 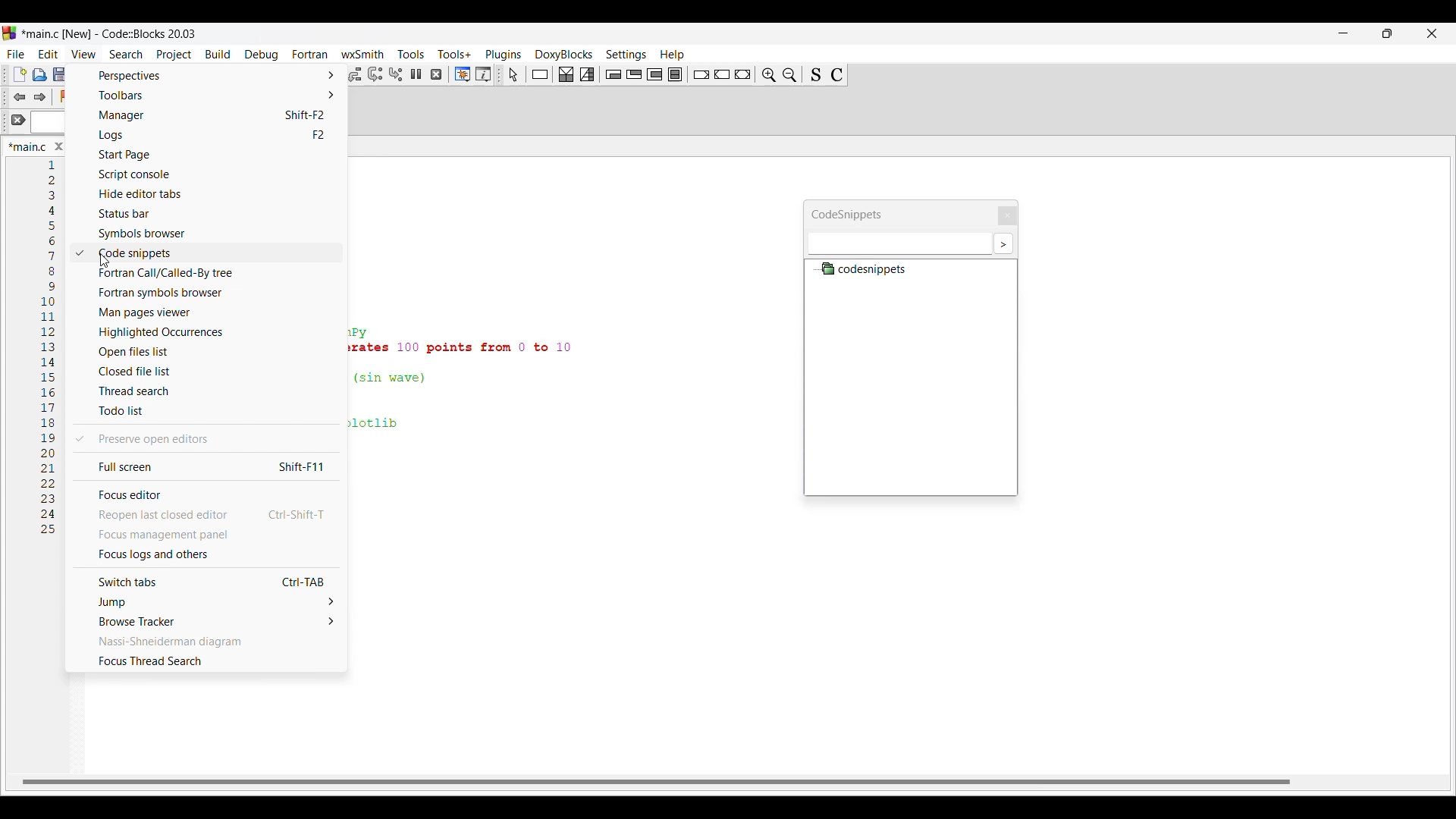 What do you see at coordinates (127, 55) in the screenshot?
I see `Search menu` at bounding box center [127, 55].